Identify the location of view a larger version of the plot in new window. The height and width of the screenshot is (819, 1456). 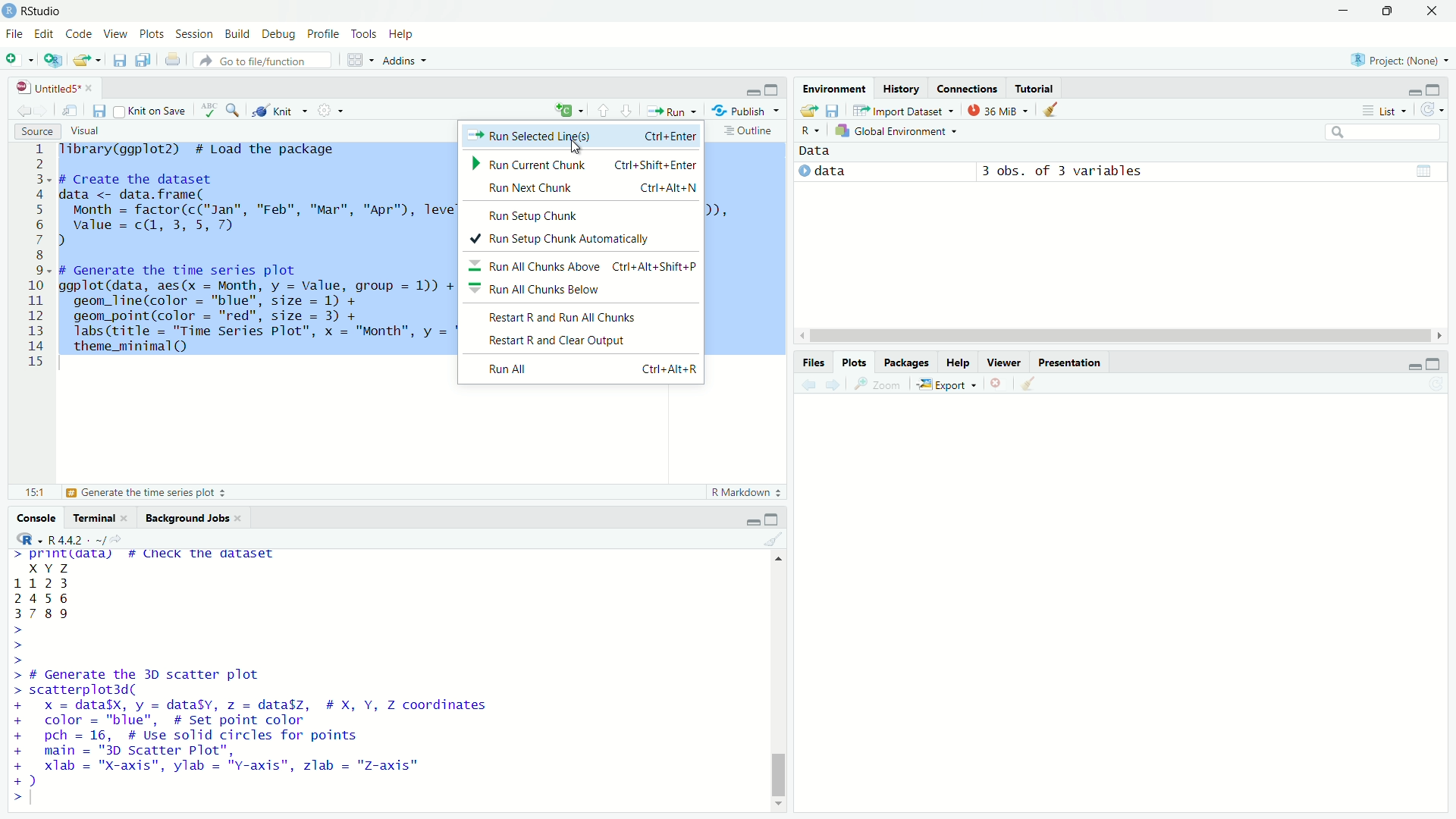
(880, 384).